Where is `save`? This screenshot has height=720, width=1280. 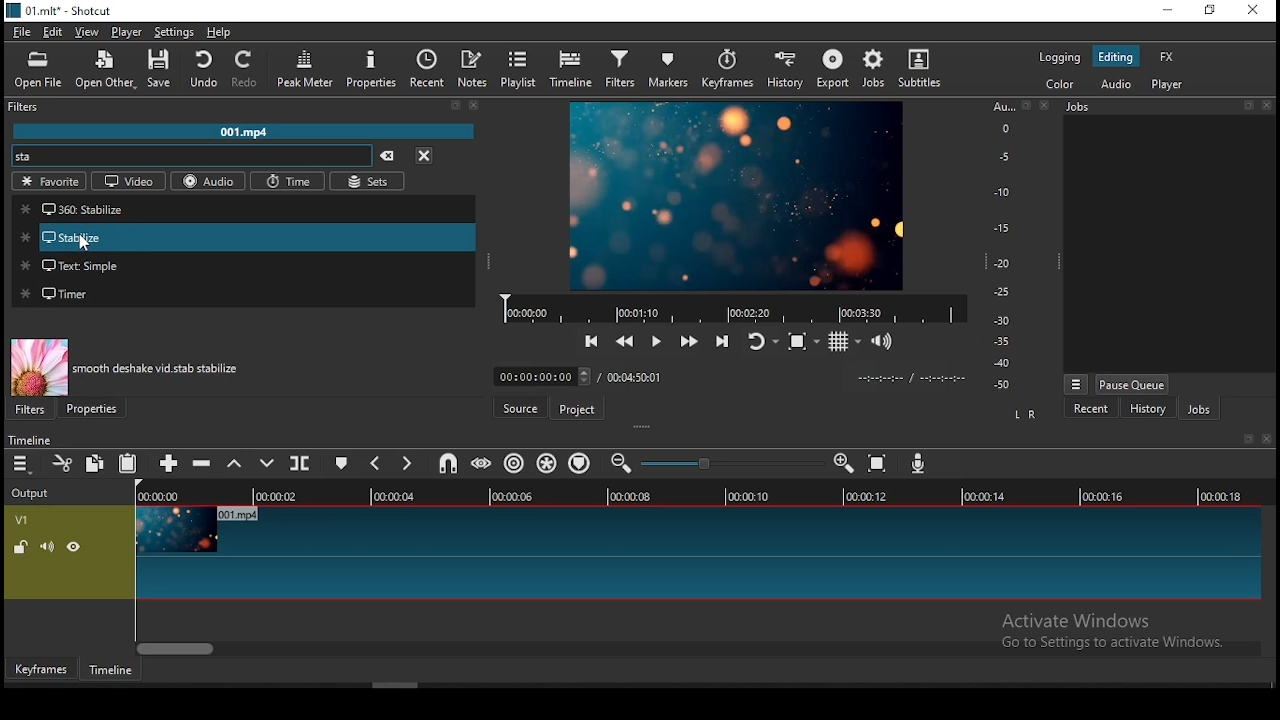 save is located at coordinates (163, 67).